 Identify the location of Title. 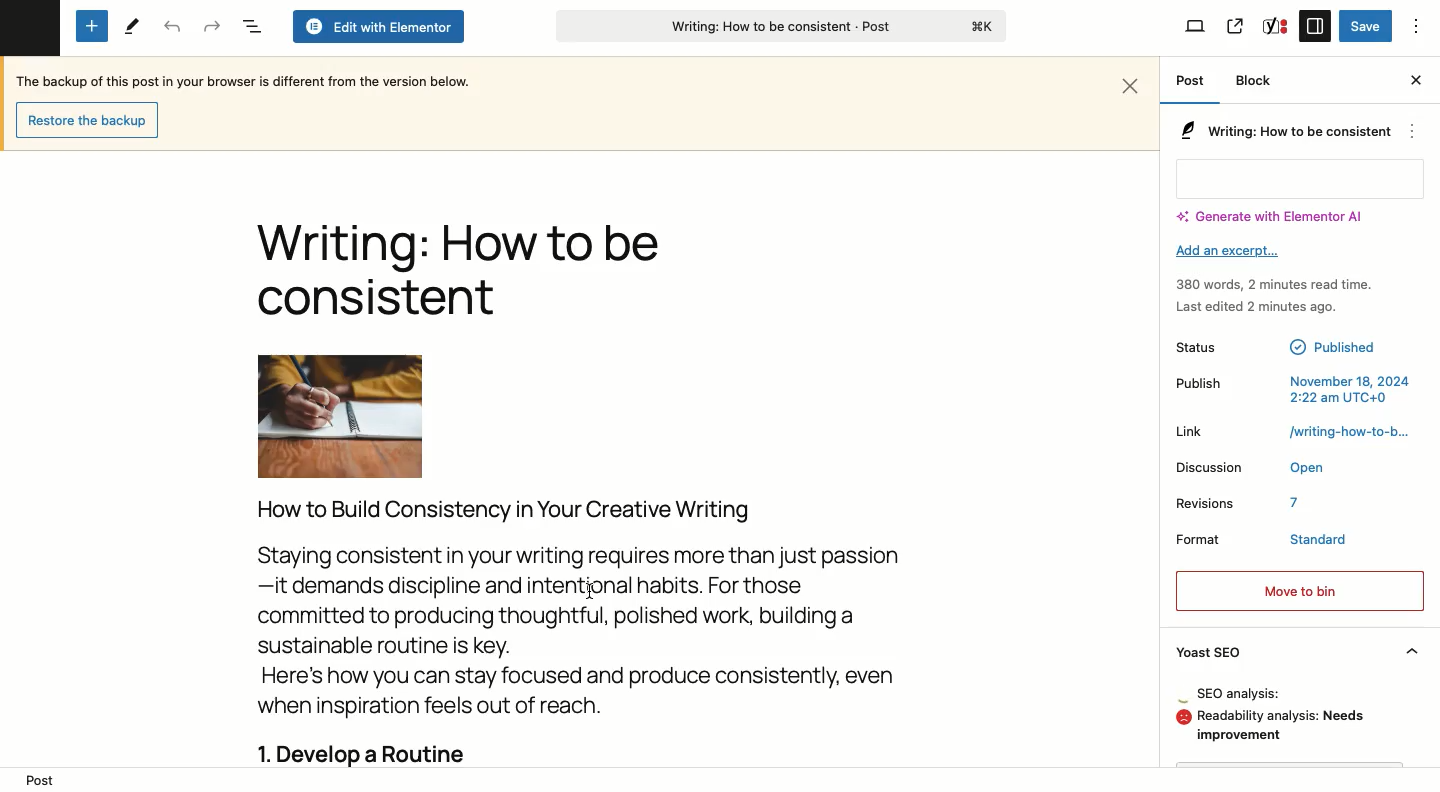
(457, 274).